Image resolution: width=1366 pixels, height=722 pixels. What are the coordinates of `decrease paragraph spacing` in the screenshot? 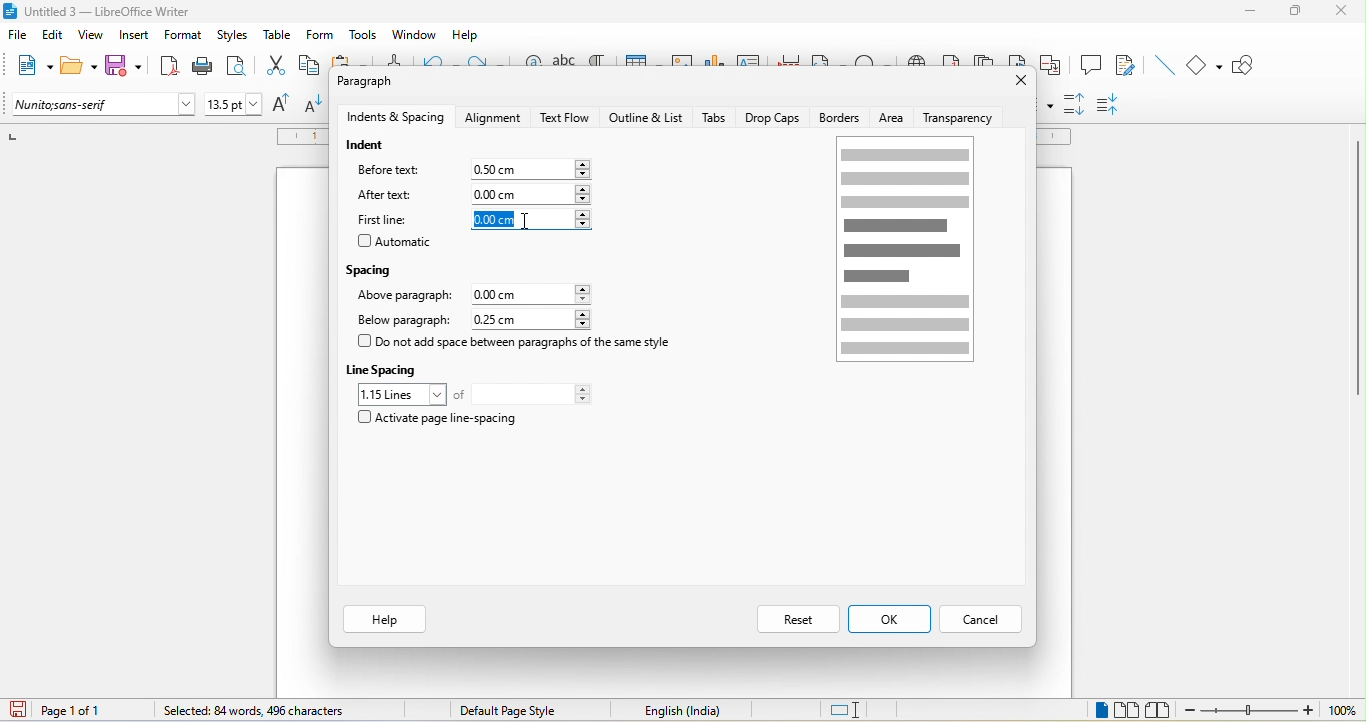 It's located at (1112, 105).